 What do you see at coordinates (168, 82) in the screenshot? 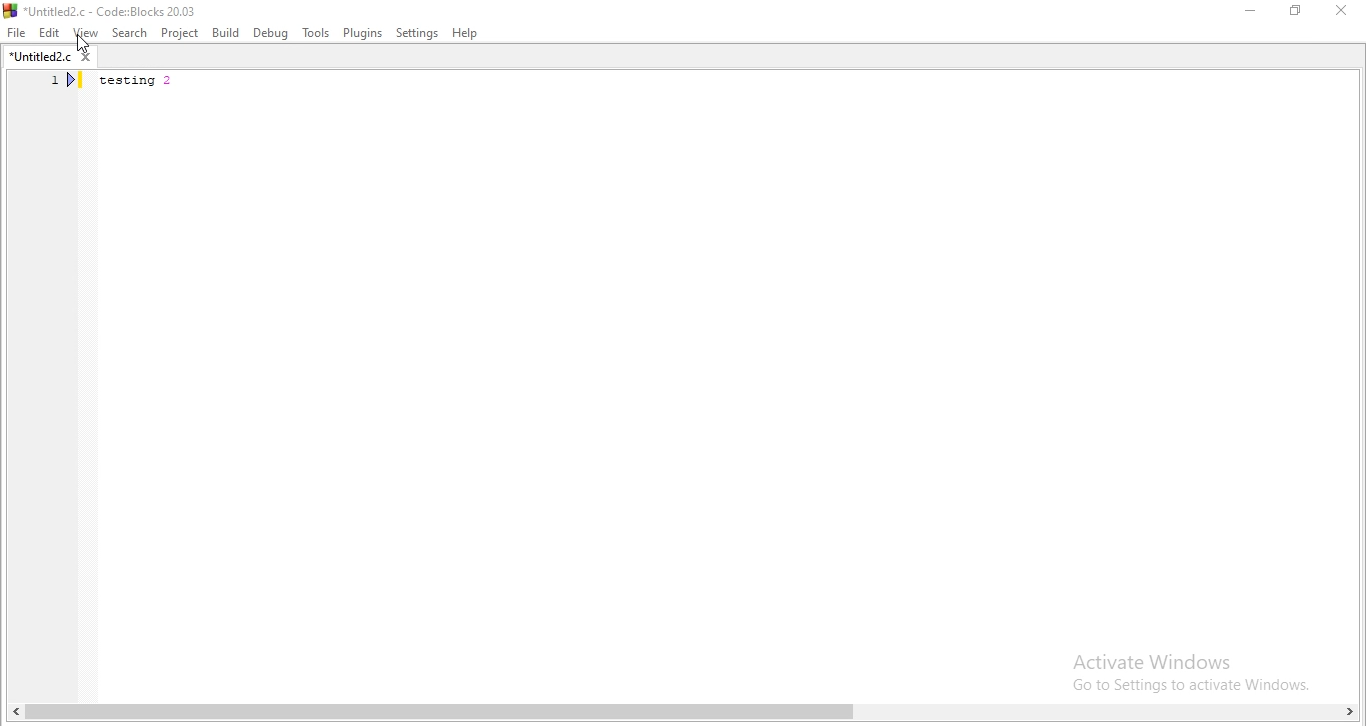
I see `testing 2` at bounding box center [168, 82].